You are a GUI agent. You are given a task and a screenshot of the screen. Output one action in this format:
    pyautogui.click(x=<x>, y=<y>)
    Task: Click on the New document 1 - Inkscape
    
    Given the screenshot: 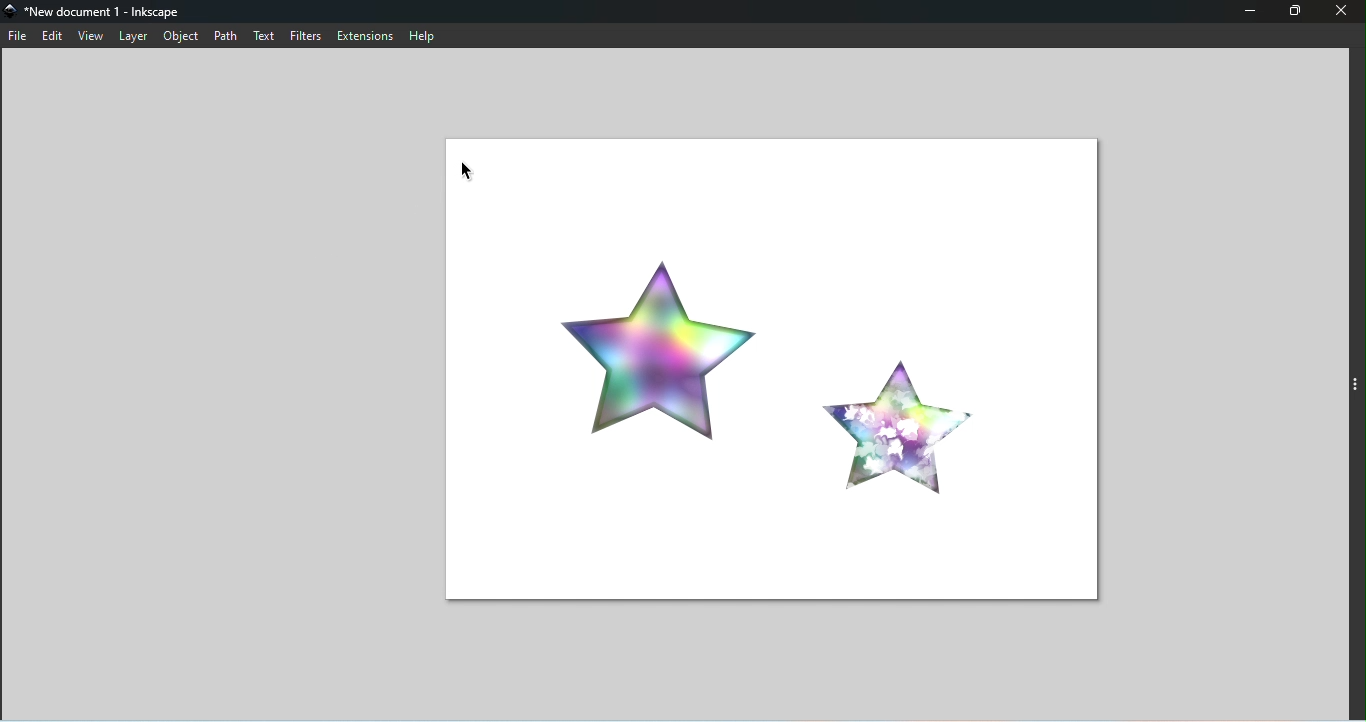 What is the action you would take?
    pyautogui.click(x=103, y=12)
    